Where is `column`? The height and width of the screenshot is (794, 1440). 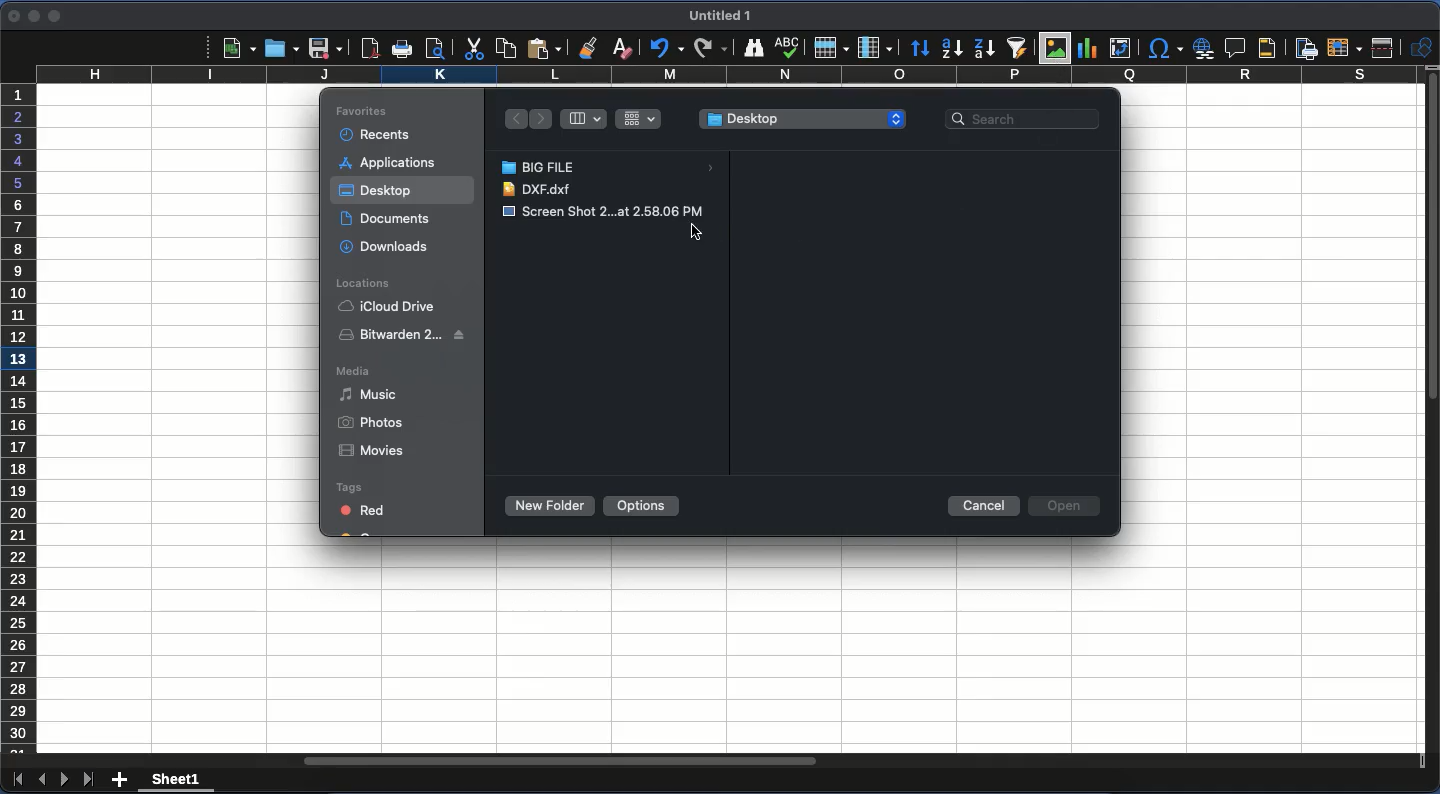 column is located at coordinates (584, 119).